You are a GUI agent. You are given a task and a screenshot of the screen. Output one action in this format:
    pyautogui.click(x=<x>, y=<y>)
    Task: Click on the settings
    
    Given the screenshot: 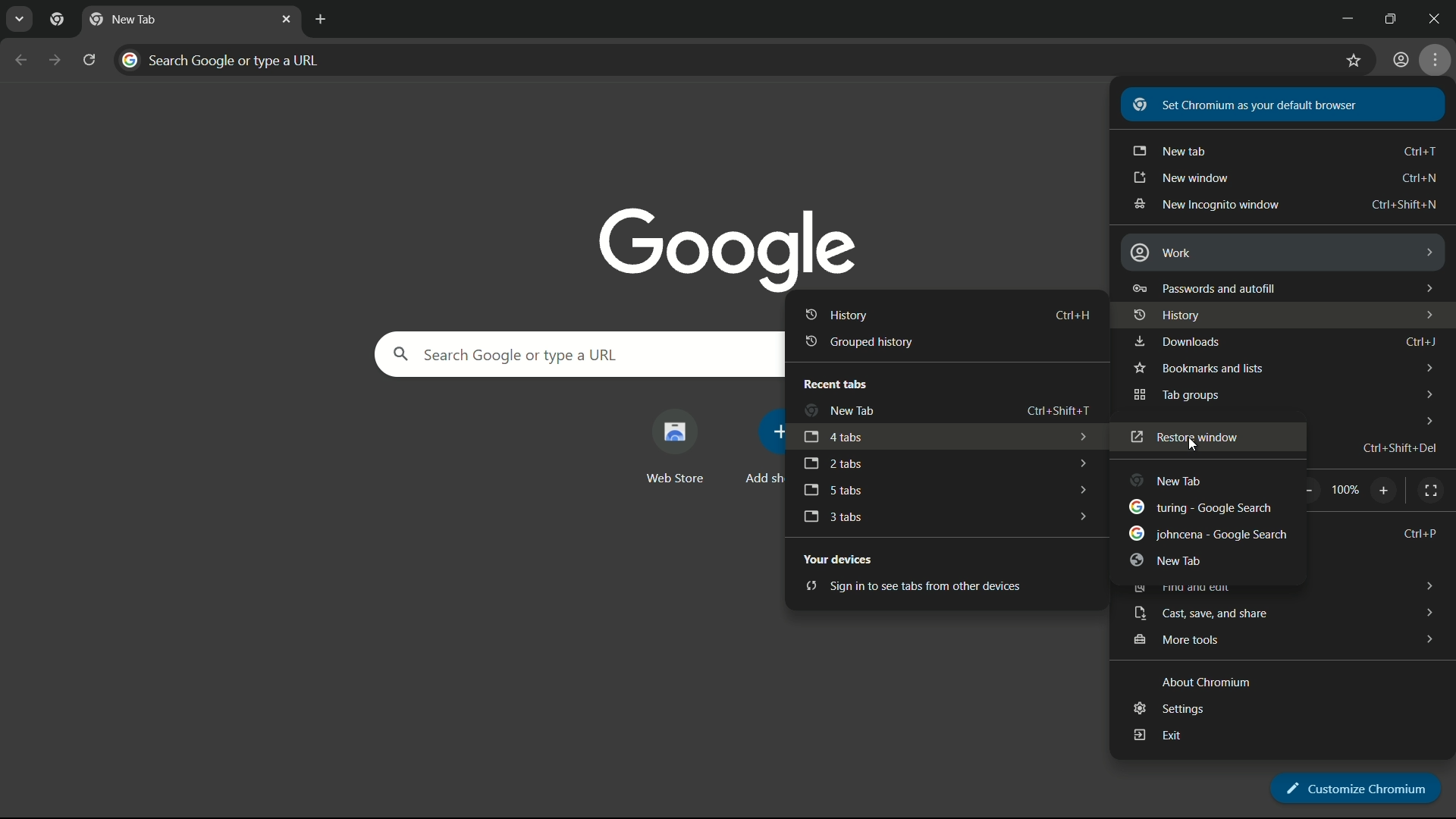 What is the action you would take?
    pyautogui.click(x=1167, y=707)
    